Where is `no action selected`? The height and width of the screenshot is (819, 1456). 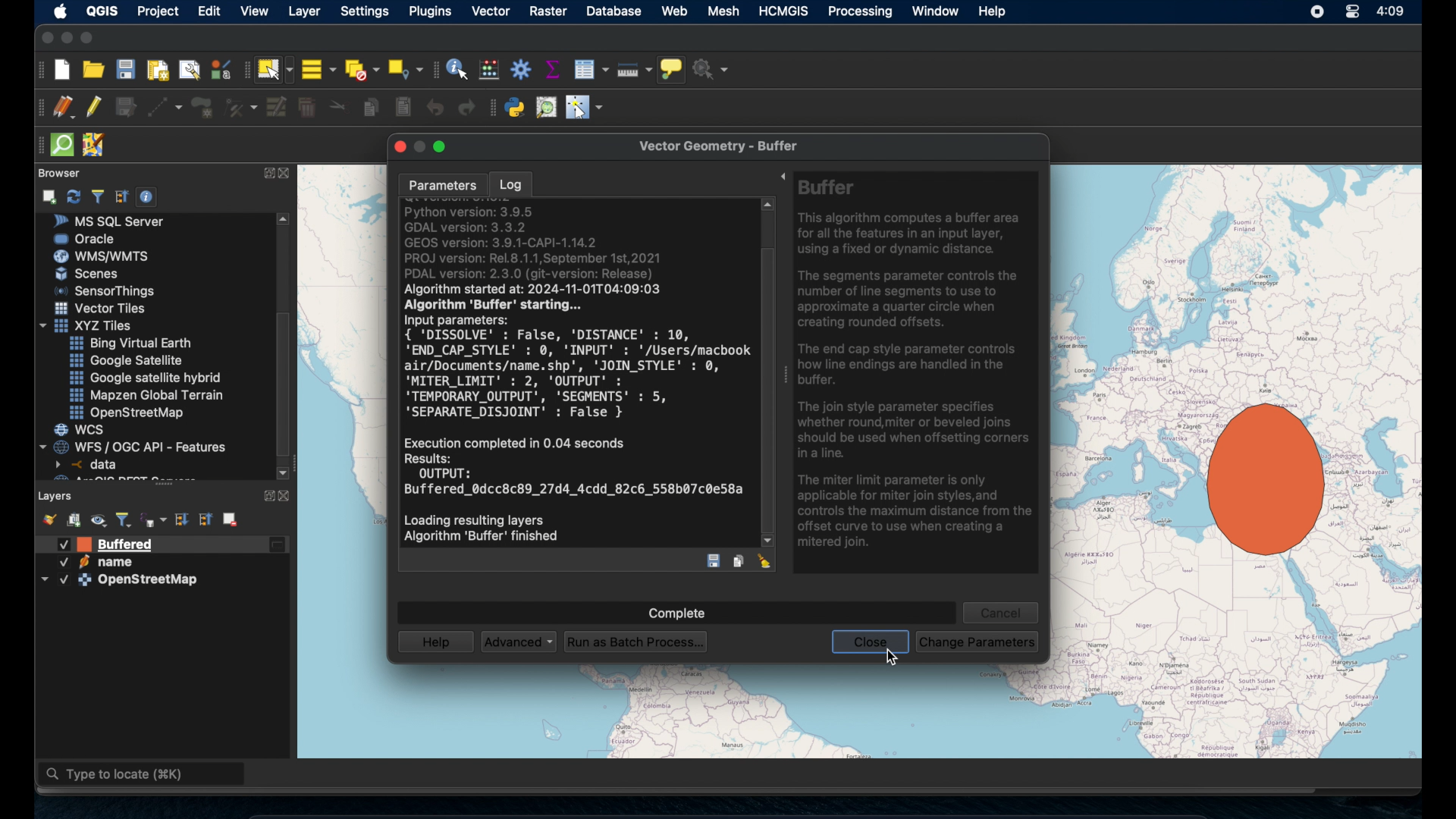
no action selected is located at coordinates (714, 70).